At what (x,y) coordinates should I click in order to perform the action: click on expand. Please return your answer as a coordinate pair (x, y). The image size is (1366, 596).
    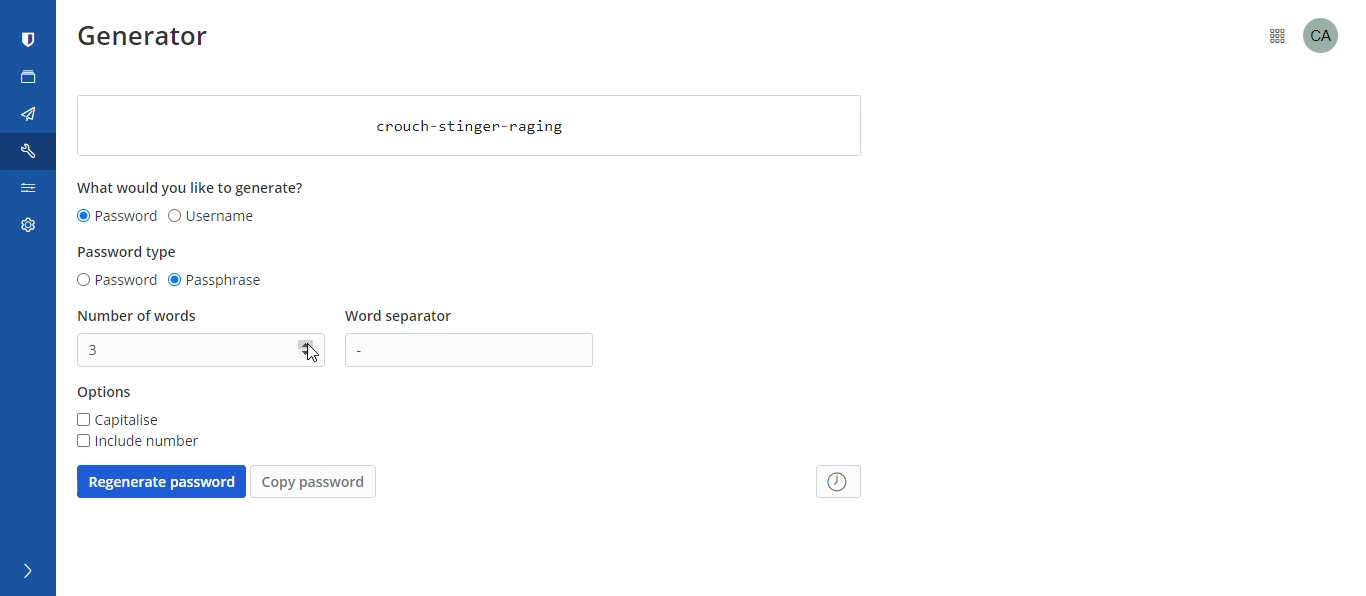
    Looking at the image, I should click on (25, 572).